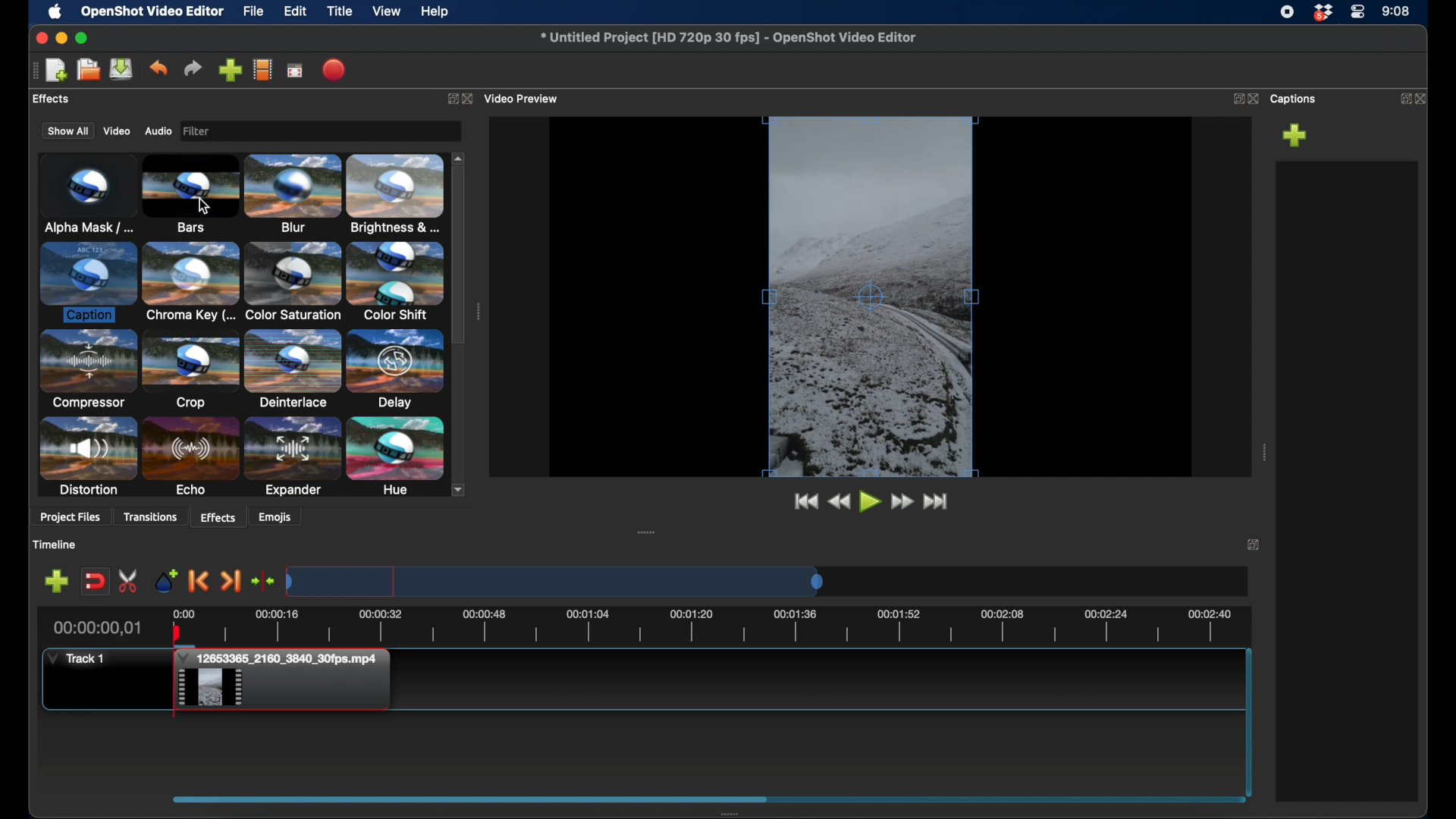 The width and height of the screenshot is (1456, 819). I want to click on full screen, so click(295, 71).